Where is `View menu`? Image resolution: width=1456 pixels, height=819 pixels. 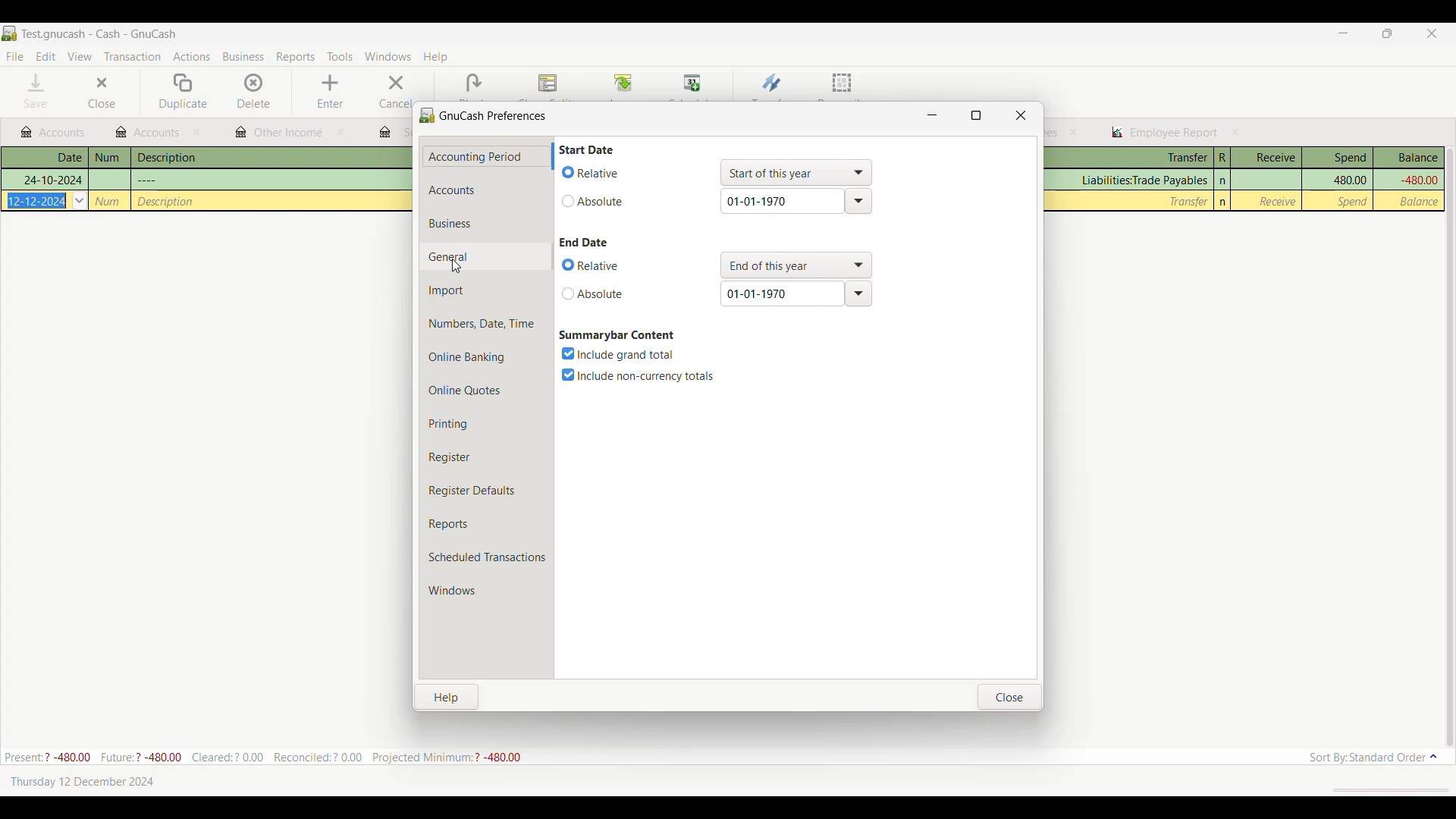
View menu is located at coordinates (80, 56).